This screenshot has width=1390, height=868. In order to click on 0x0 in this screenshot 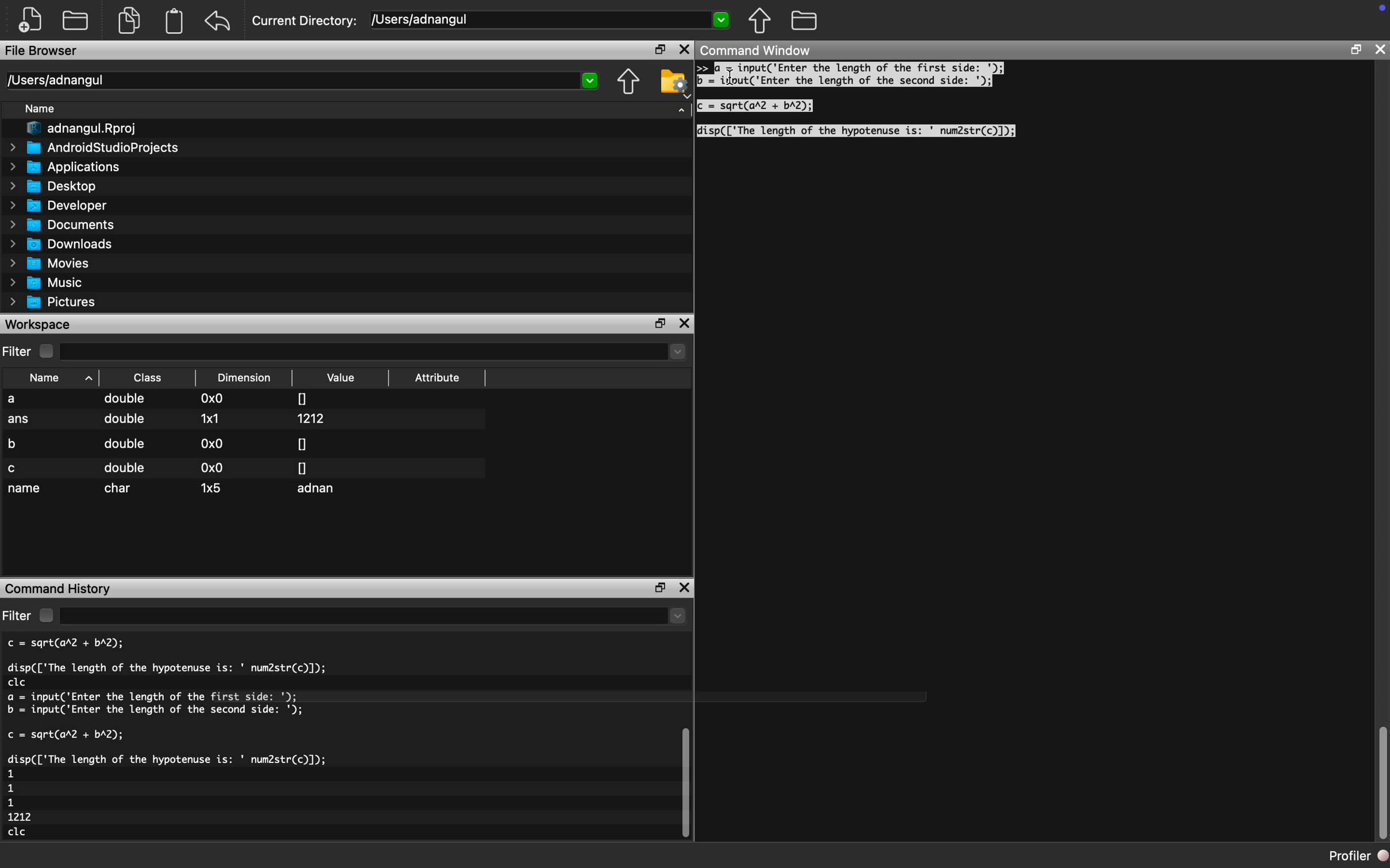, I will do `click(210, 468)`.